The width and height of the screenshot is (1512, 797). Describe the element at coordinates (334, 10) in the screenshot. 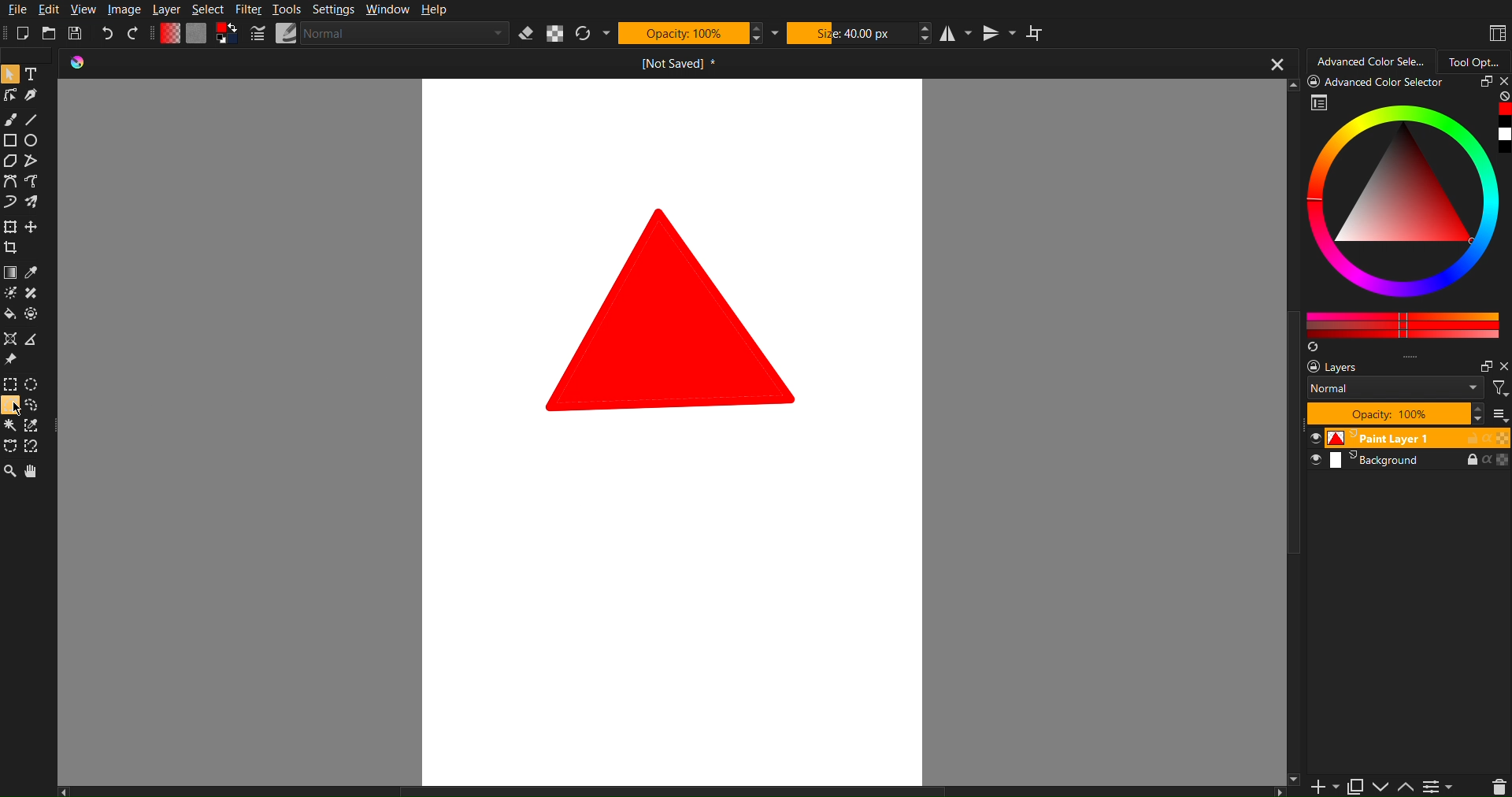

I see `Settings` at that location.